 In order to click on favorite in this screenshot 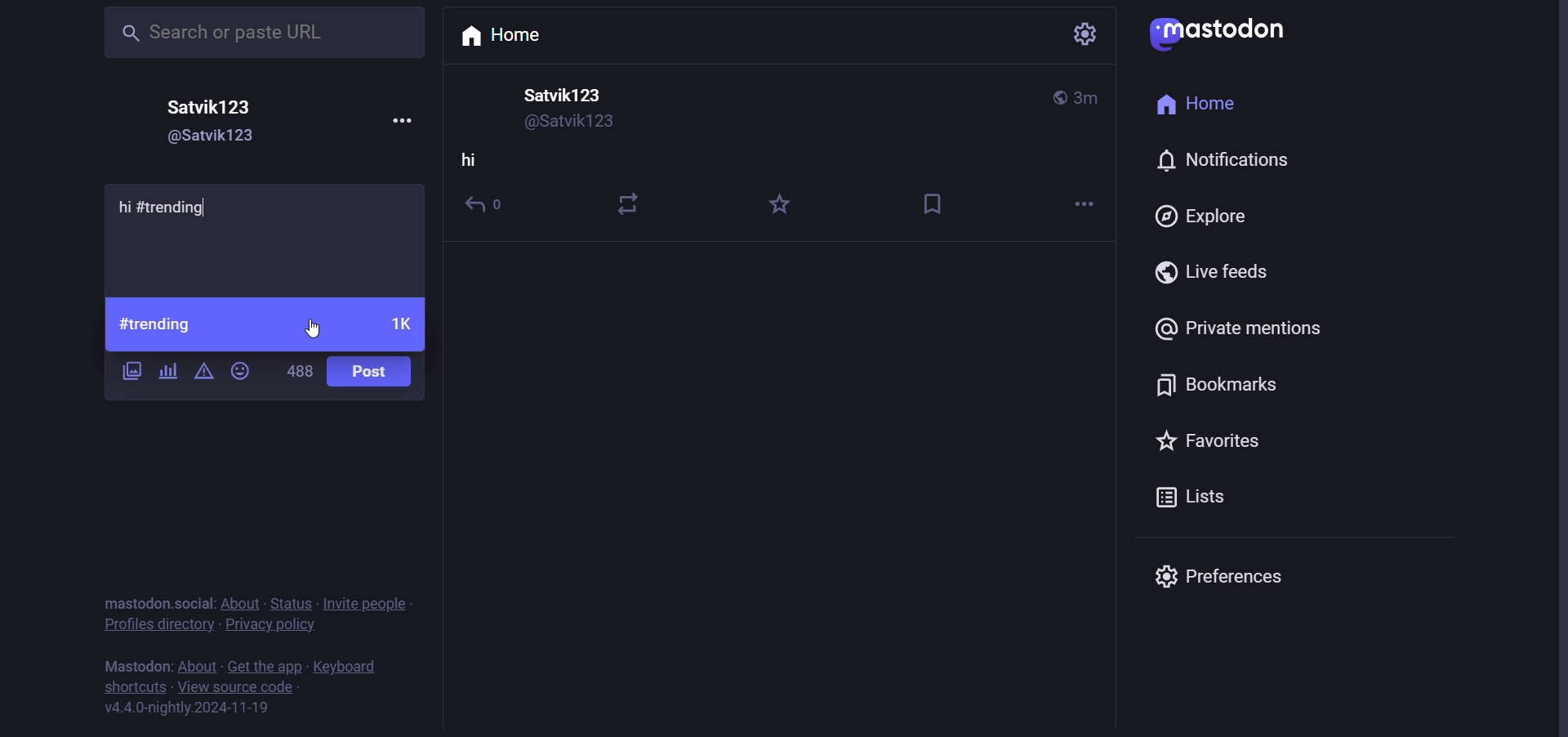, I will do `click(1223, 446)`.